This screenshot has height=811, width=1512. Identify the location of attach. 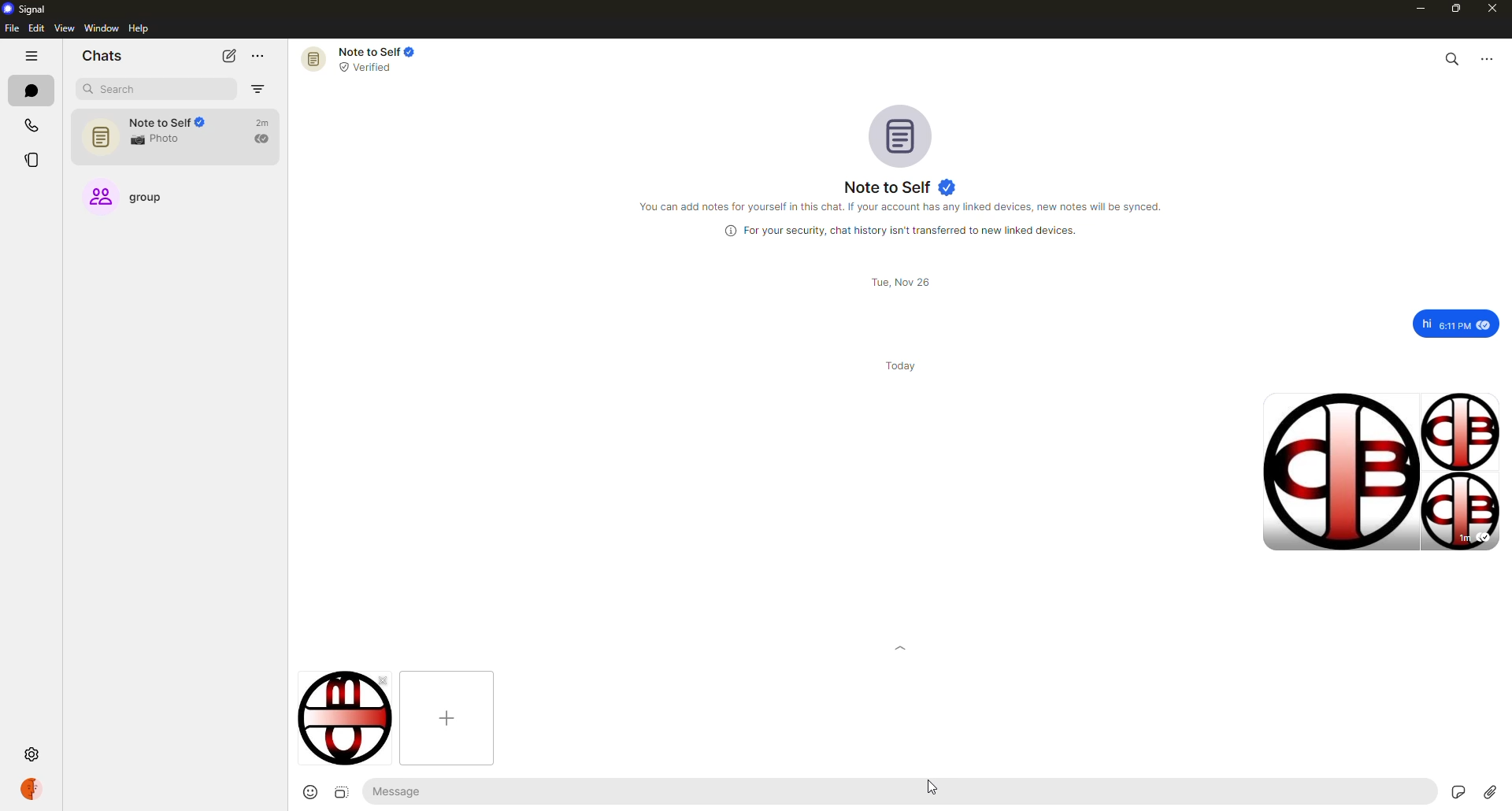
(1491, 791).